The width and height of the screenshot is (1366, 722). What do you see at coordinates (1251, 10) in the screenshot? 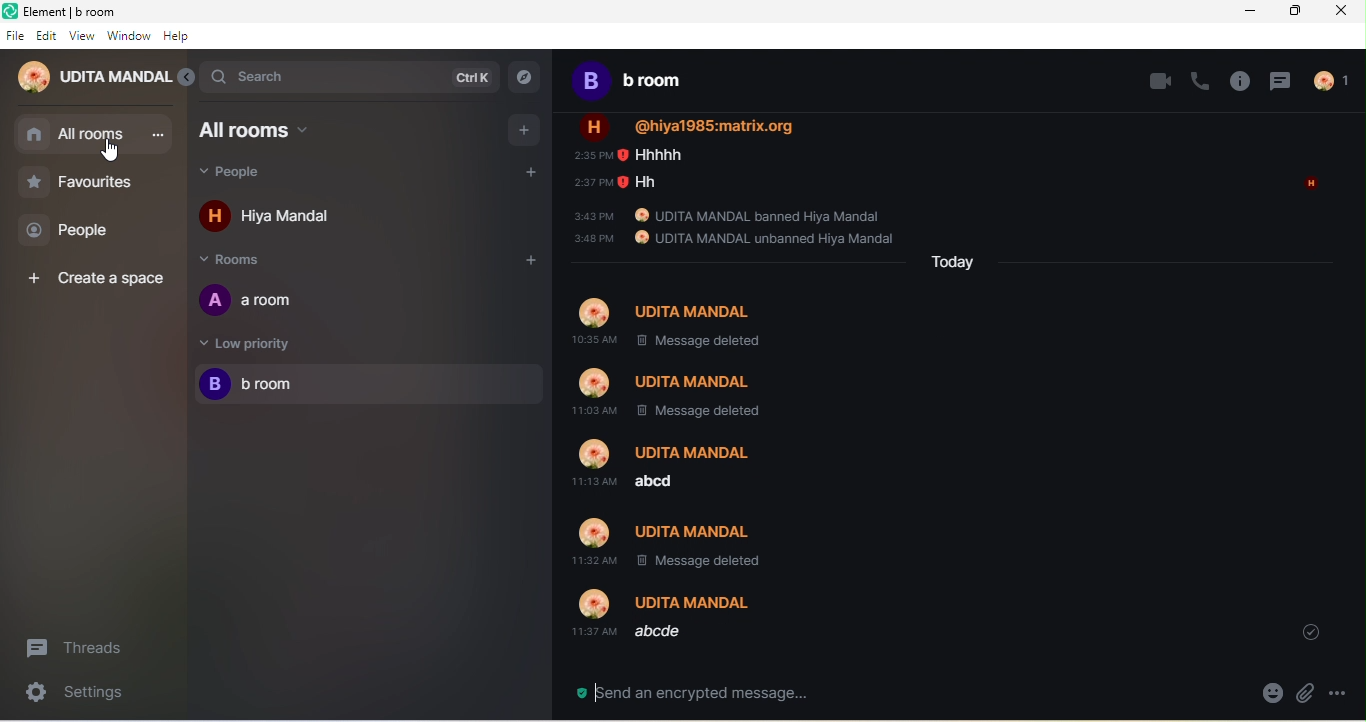
I see `minimize` at bounding box center [1251, 10].